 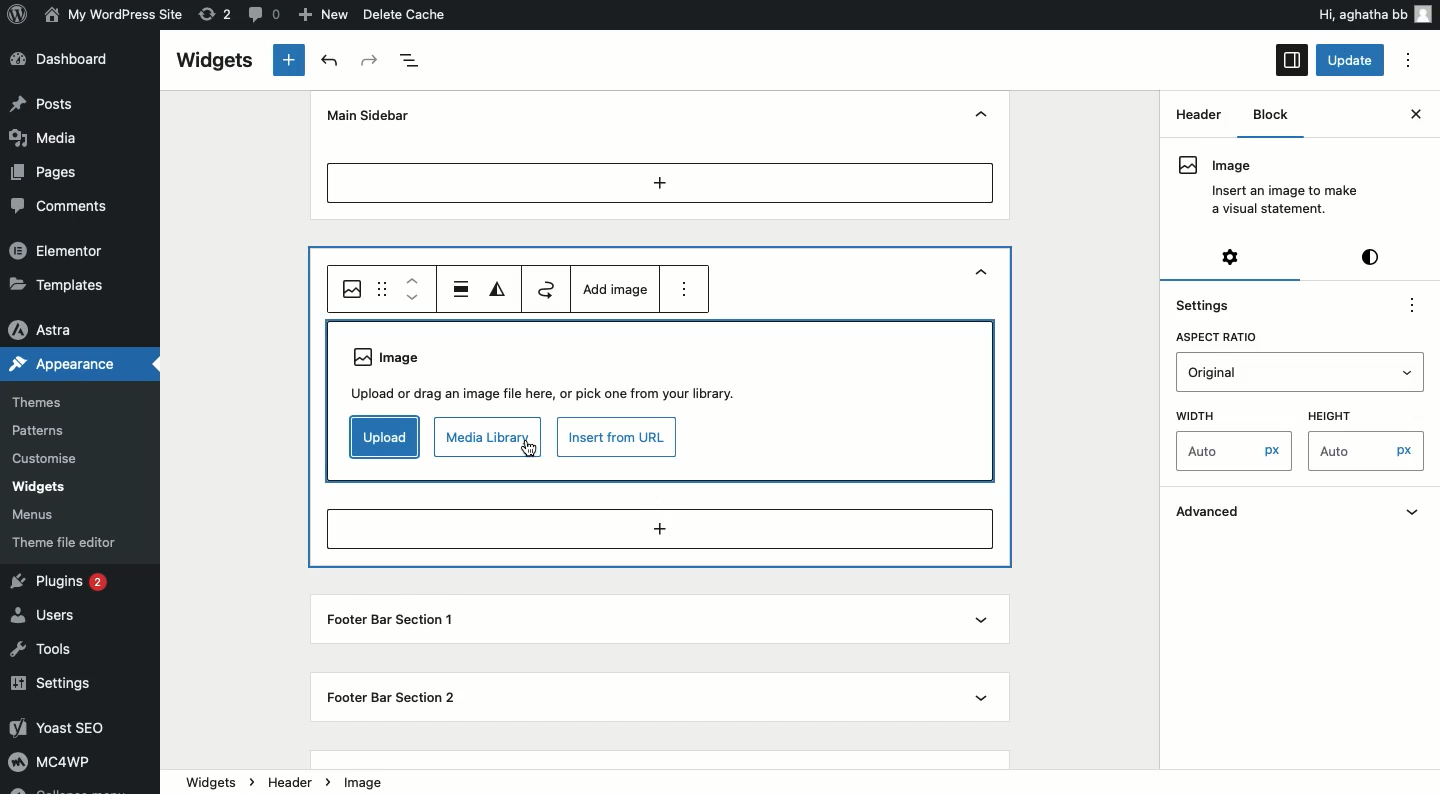 What do you see at coordinates (659, 530) in the screenshot?
I see `Add` at bounding box center [659, 530].